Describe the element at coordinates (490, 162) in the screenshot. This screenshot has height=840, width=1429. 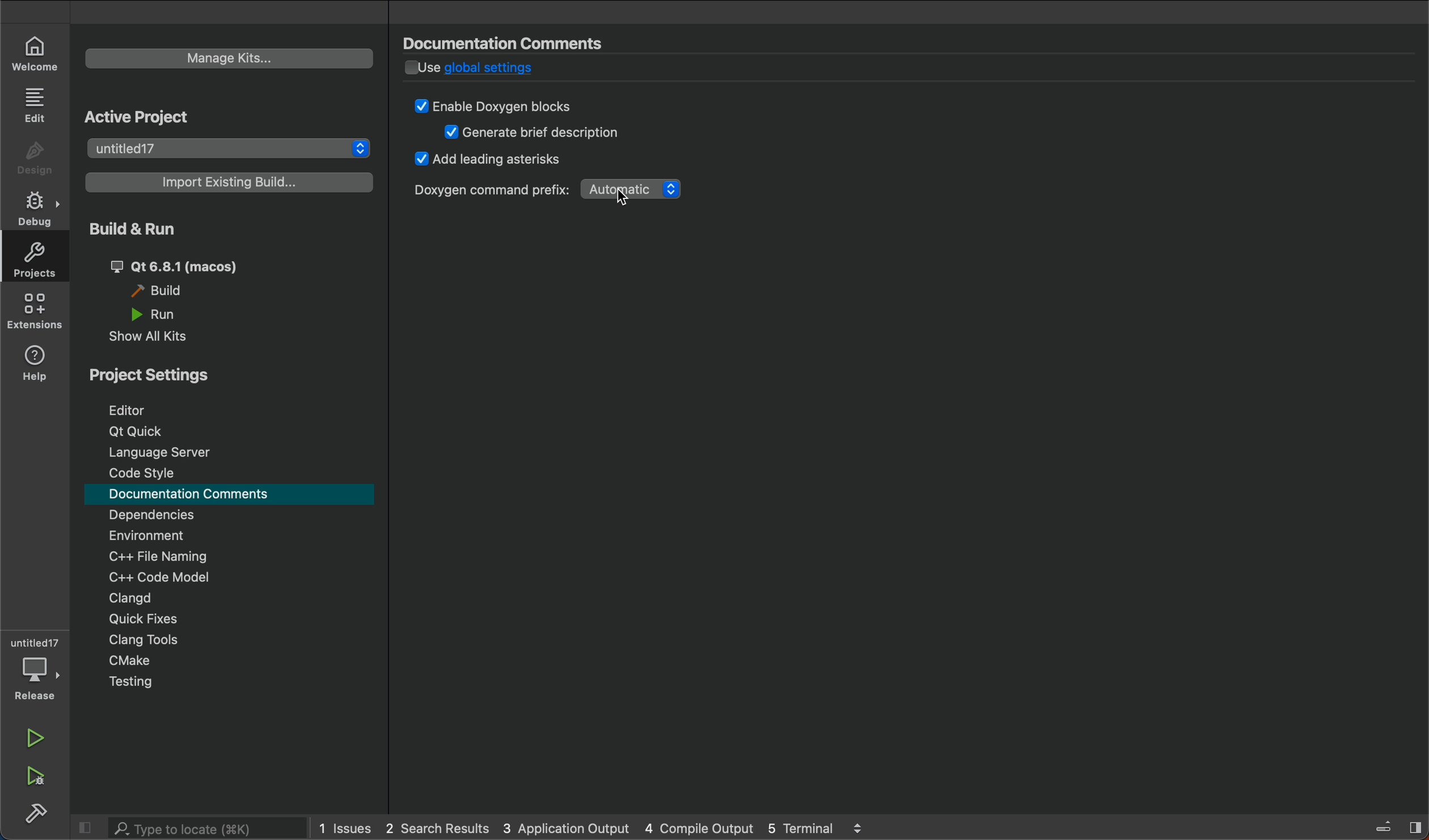
I see `add astricks` at that location.